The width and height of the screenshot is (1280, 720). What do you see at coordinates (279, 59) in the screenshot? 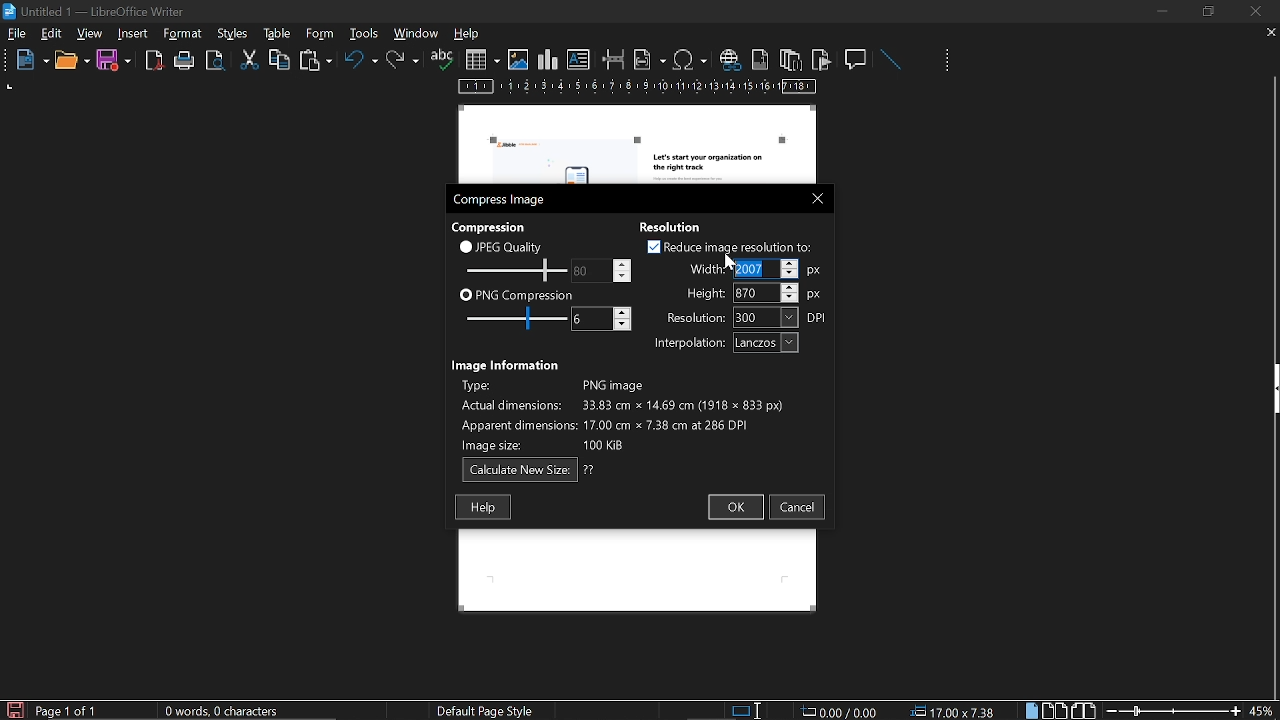
I see `copy` at bounding box center [279, 59].